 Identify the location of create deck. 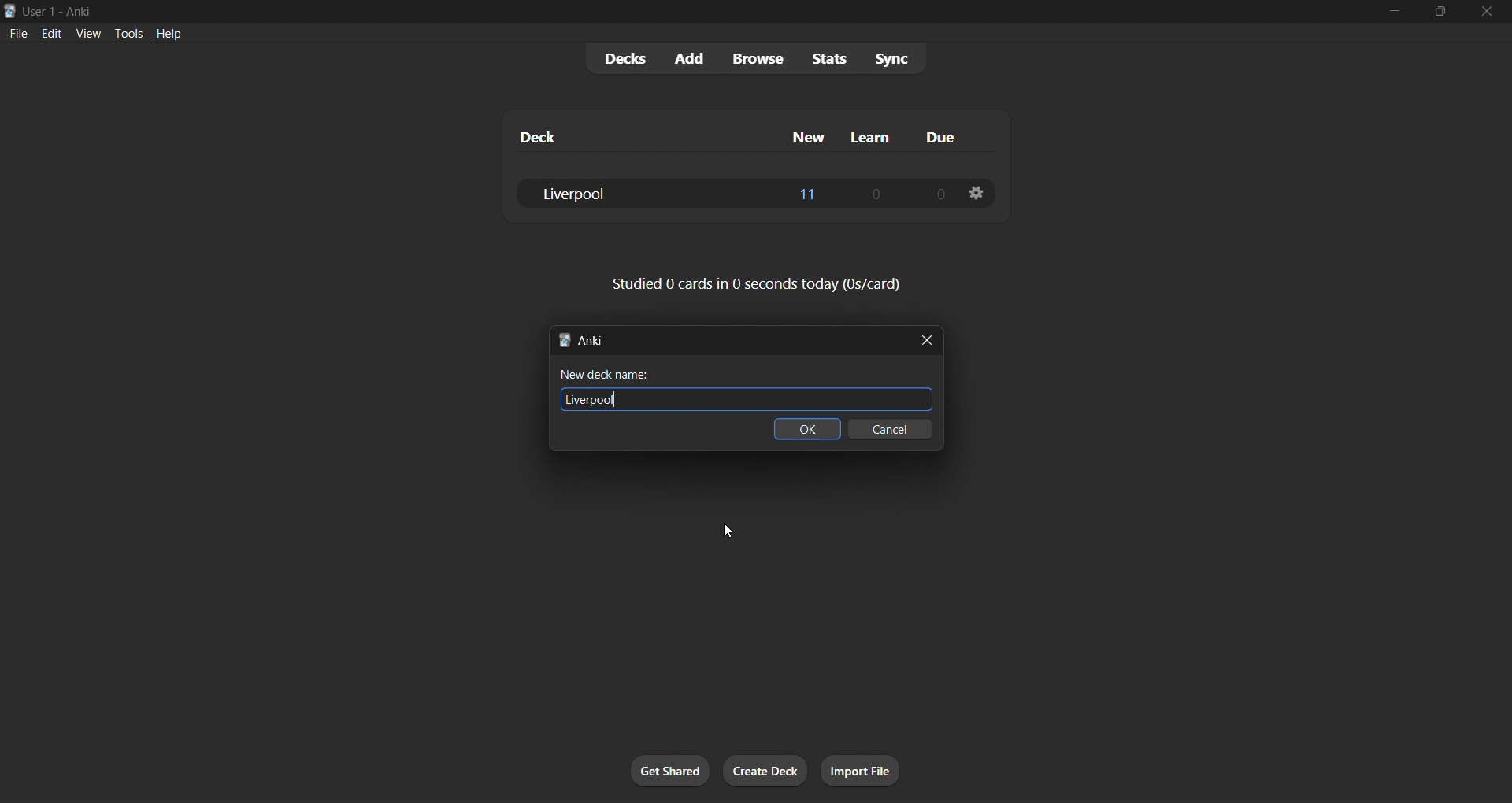
(769, 772).